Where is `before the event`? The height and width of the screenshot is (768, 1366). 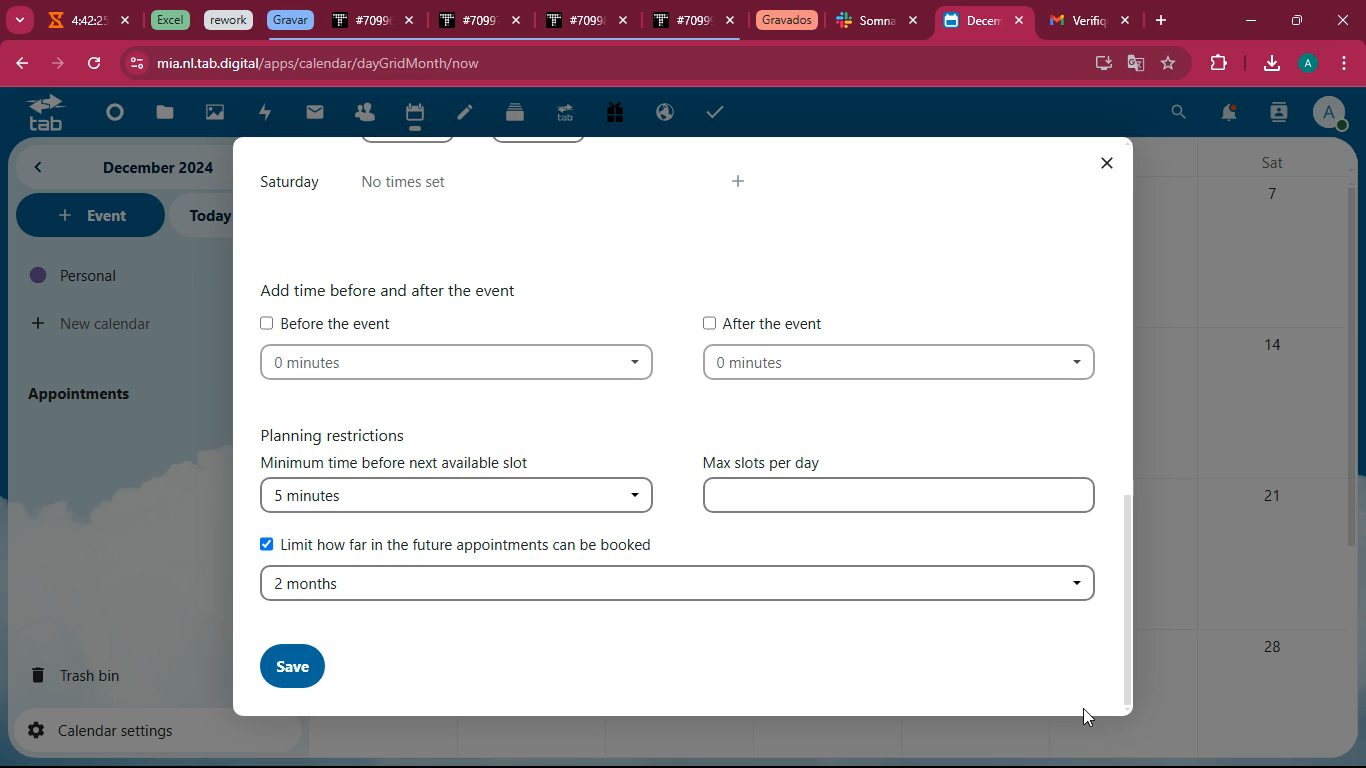
before the event is located at coordinates (330, 322).